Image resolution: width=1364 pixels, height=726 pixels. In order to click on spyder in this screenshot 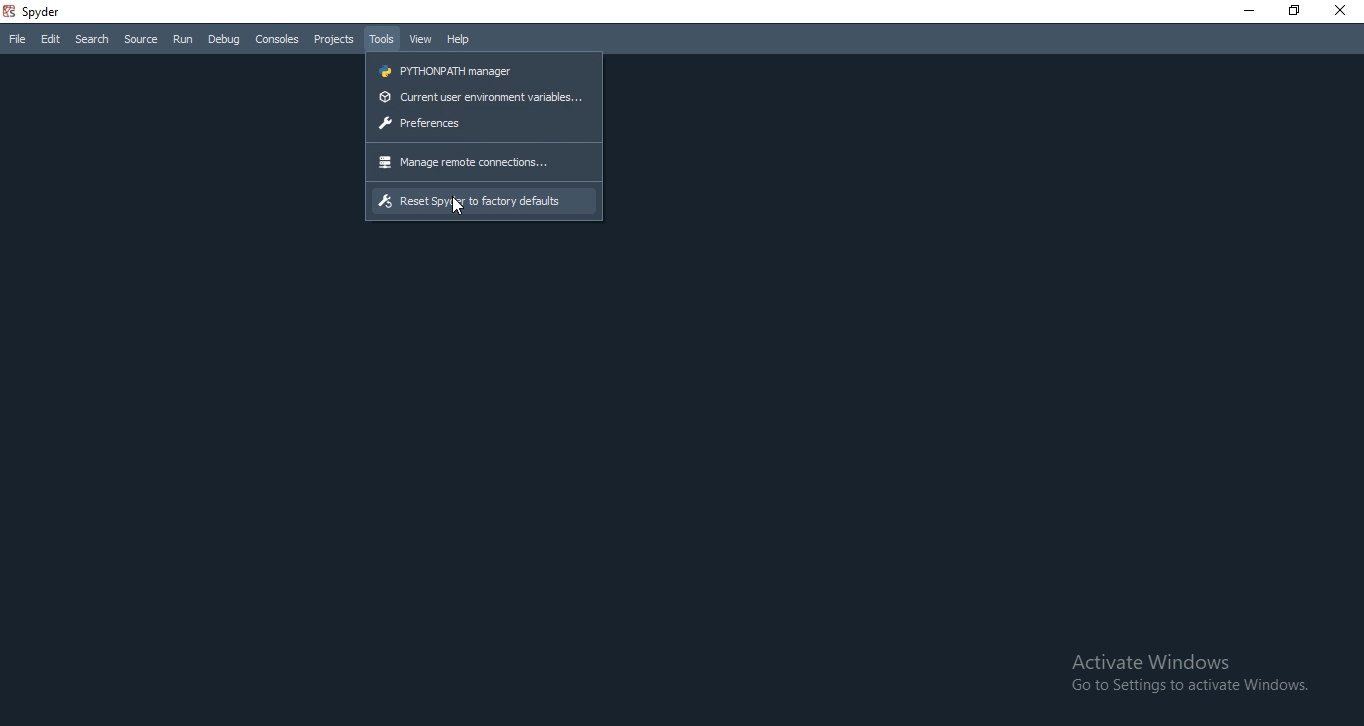, I will do `click(47, 11)`.